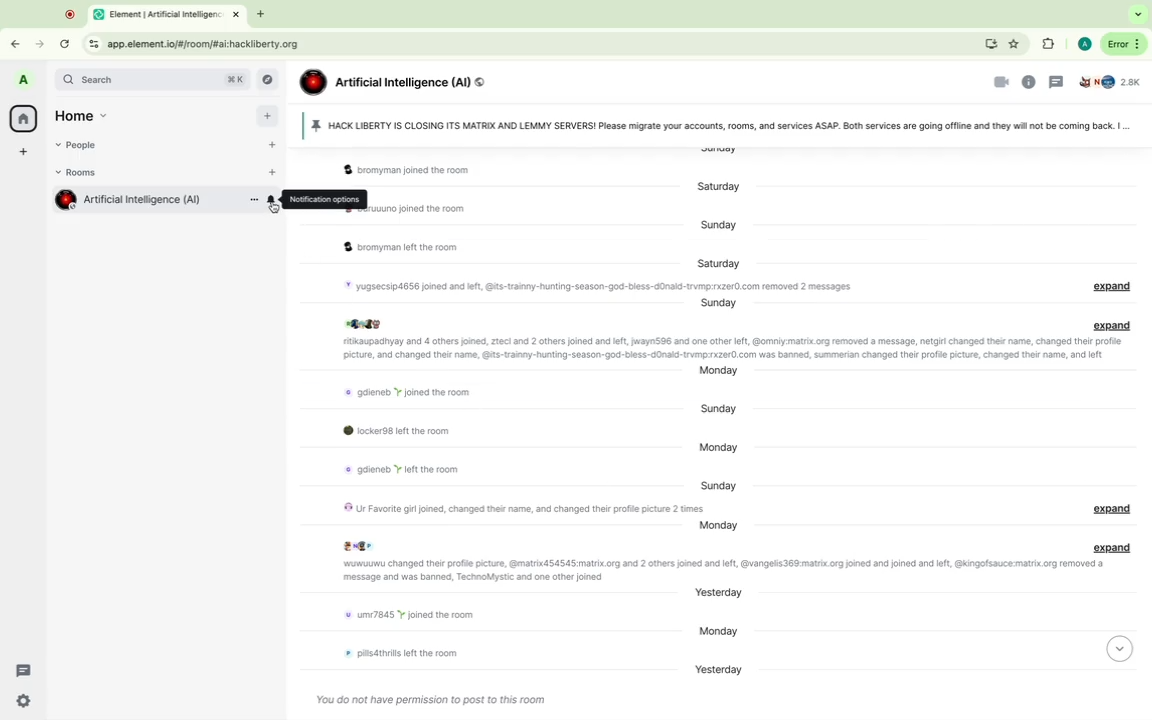 This screenshot has height=720, width=1152. Describe the element at coordinates (23, 671) in the screenshot. I see `Threads` at that location.